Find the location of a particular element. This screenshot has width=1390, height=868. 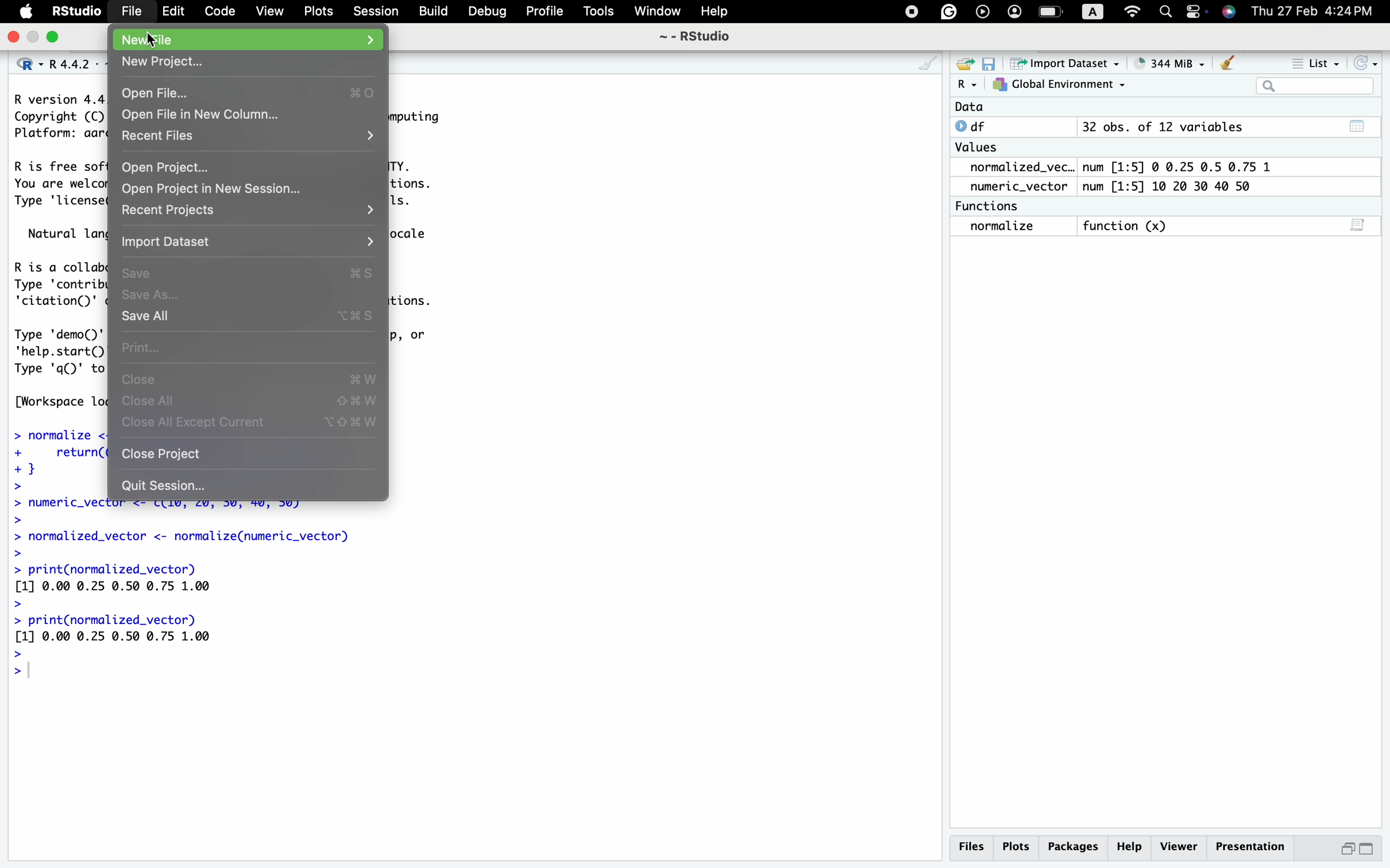

search is located at coordinates (1165, 13).